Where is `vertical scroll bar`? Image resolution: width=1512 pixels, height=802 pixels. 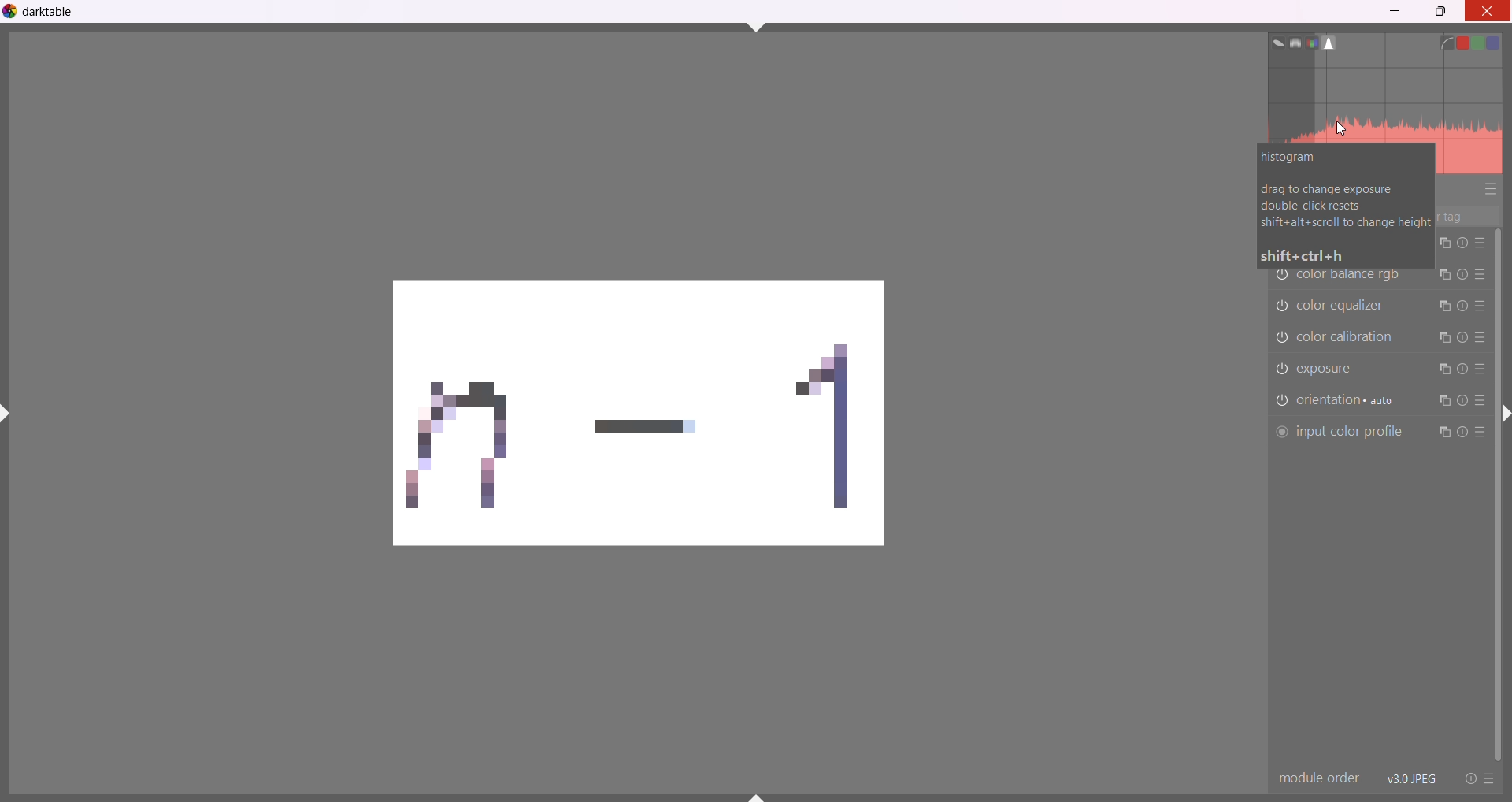
vertical scroll bar is located at coordinates (1499, 493).